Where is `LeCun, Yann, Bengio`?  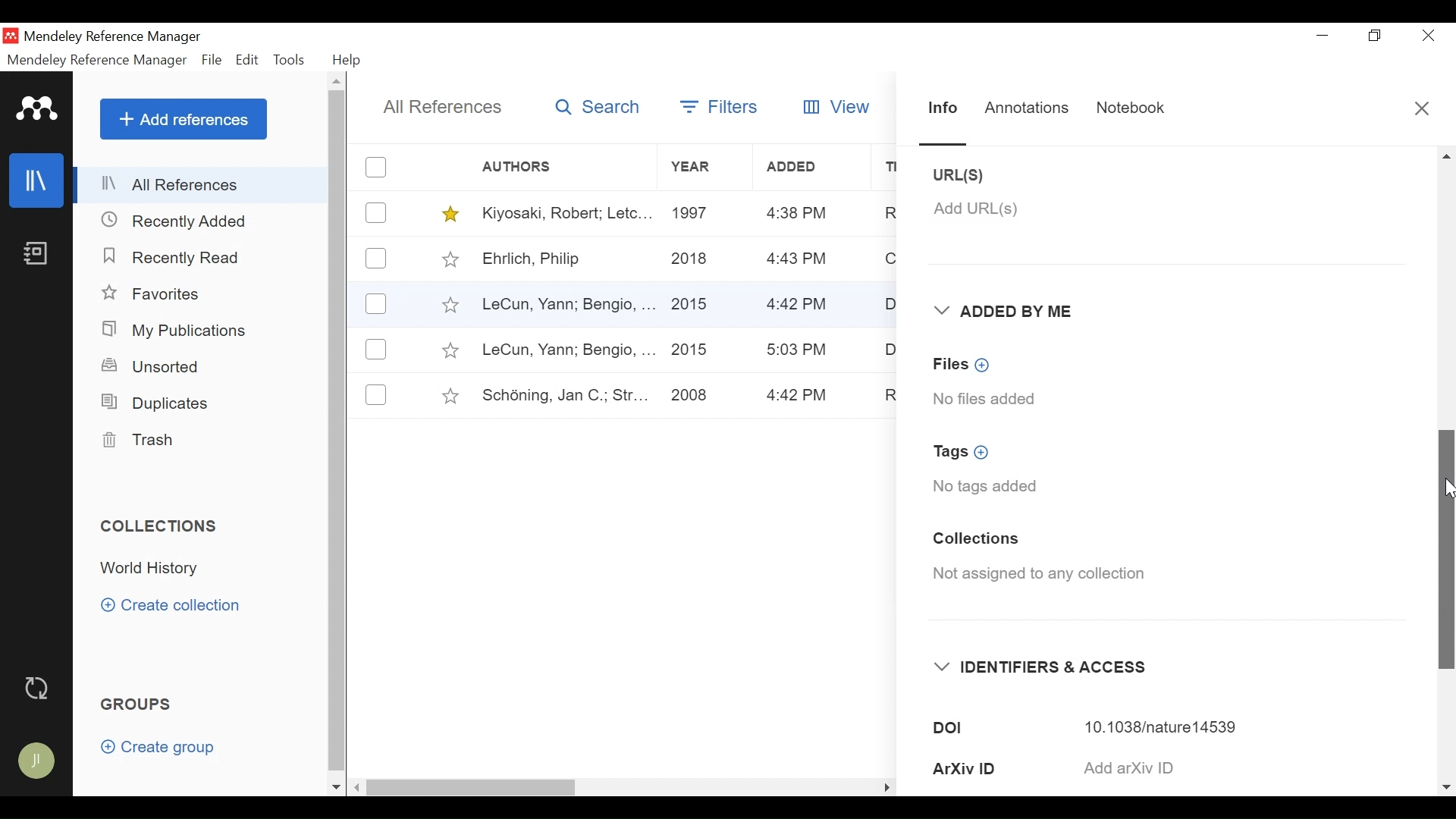 LeCun, Yann, Bengio is located at coordinates (566, 306).